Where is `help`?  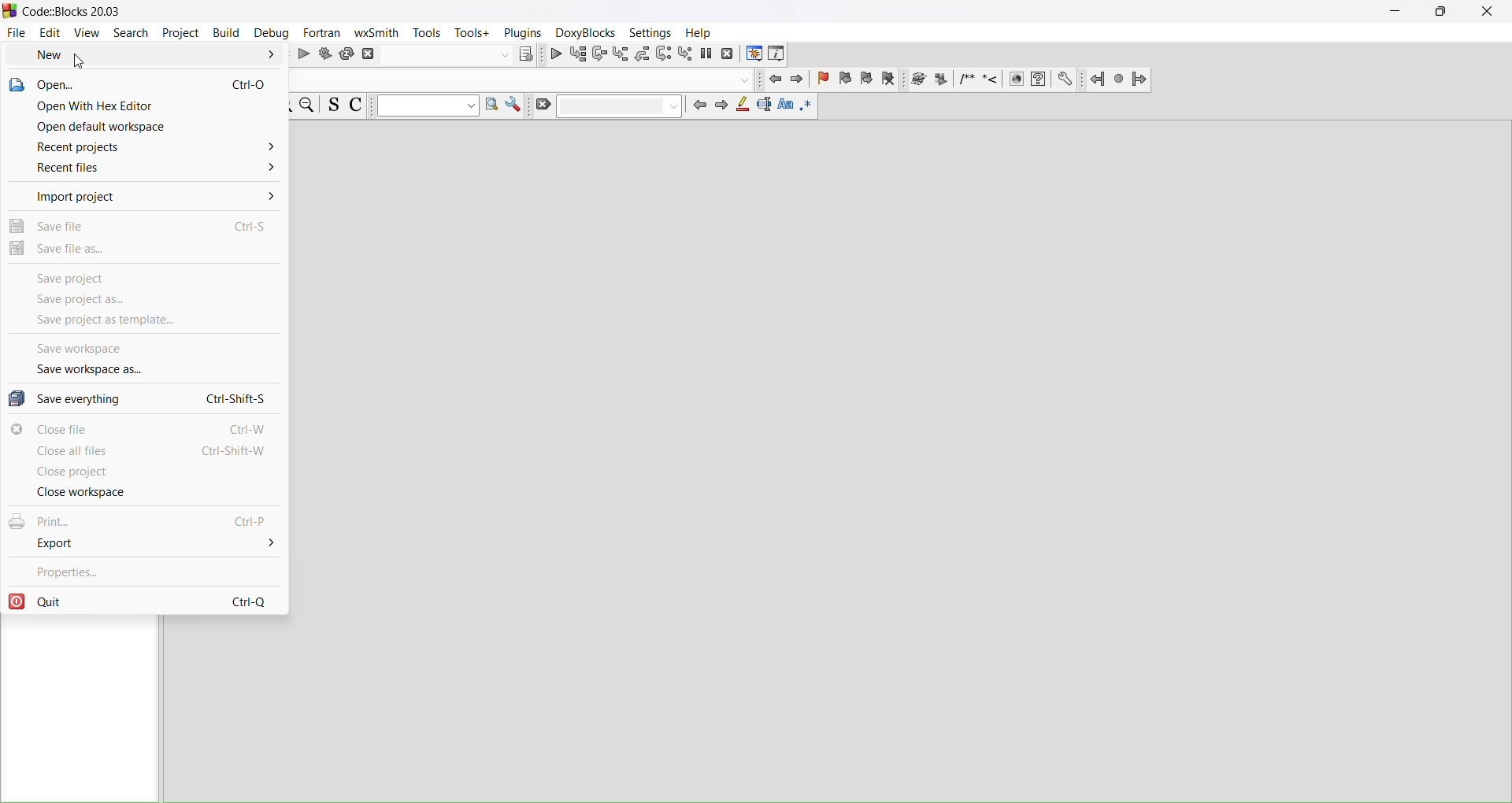
help is located at coordinates (701, 33).